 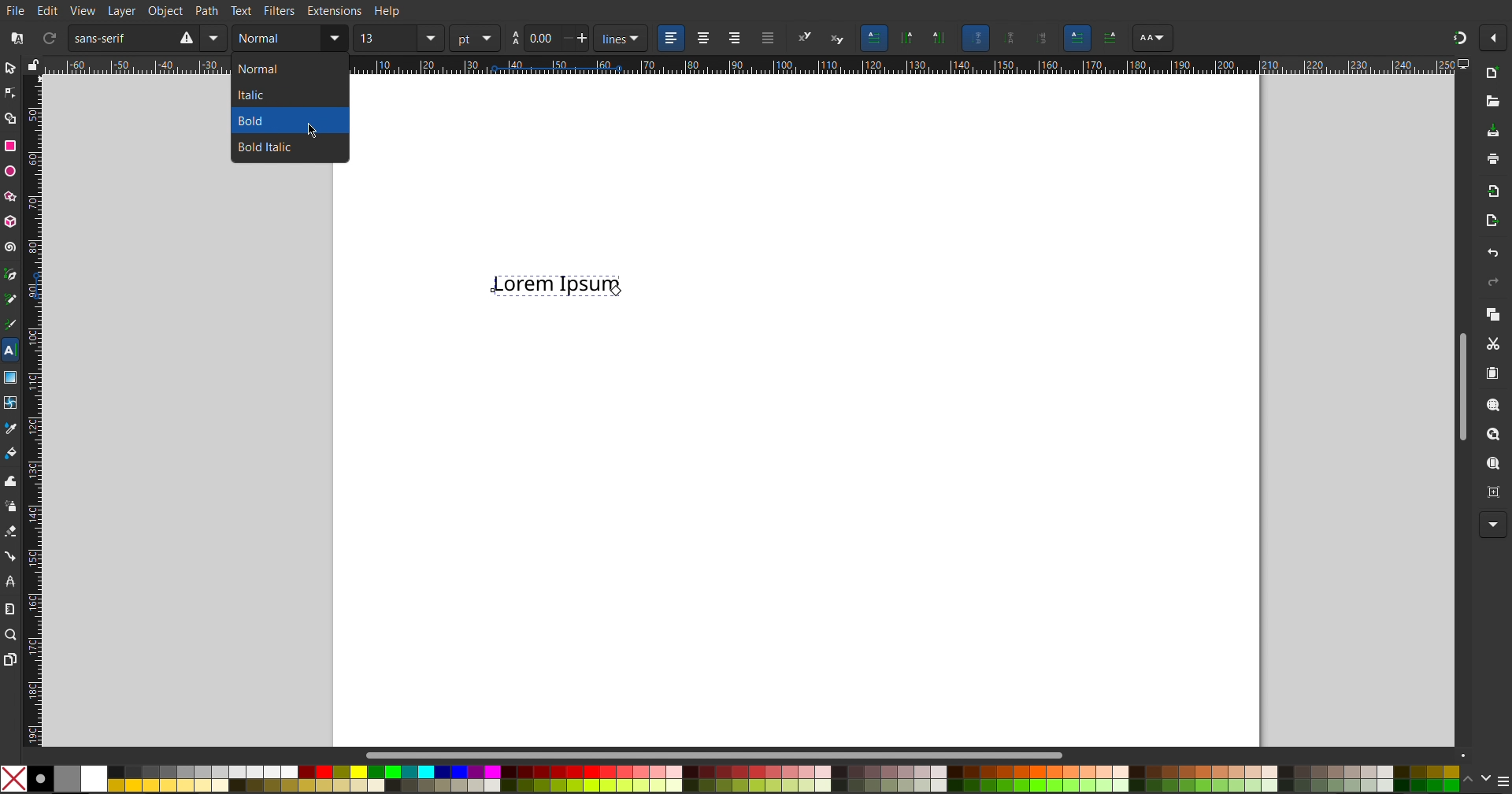 I want to click on Left Align, so click(x=672, y=39).